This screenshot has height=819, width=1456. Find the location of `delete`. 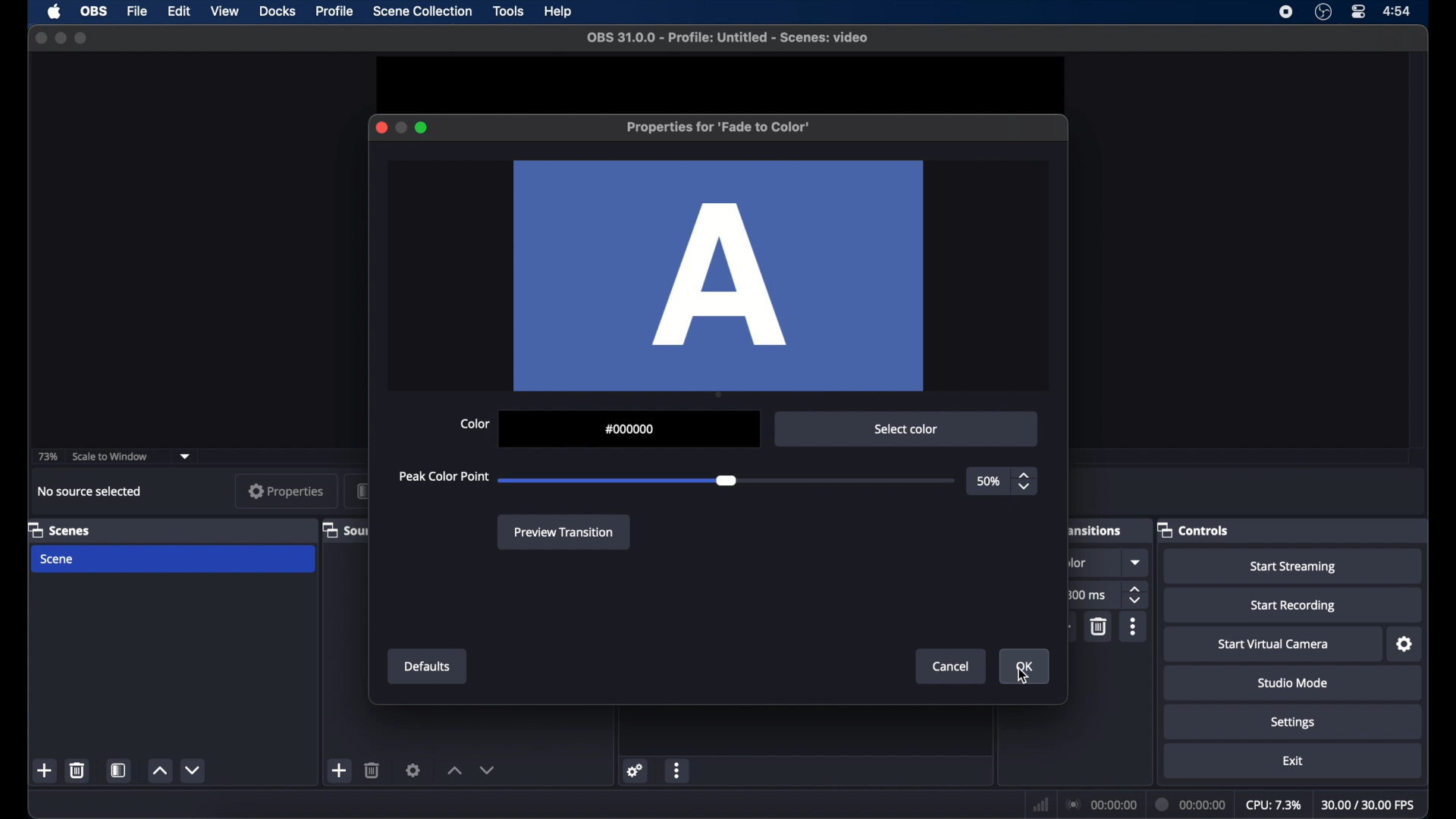

delete is located at coordinates (372, 770).